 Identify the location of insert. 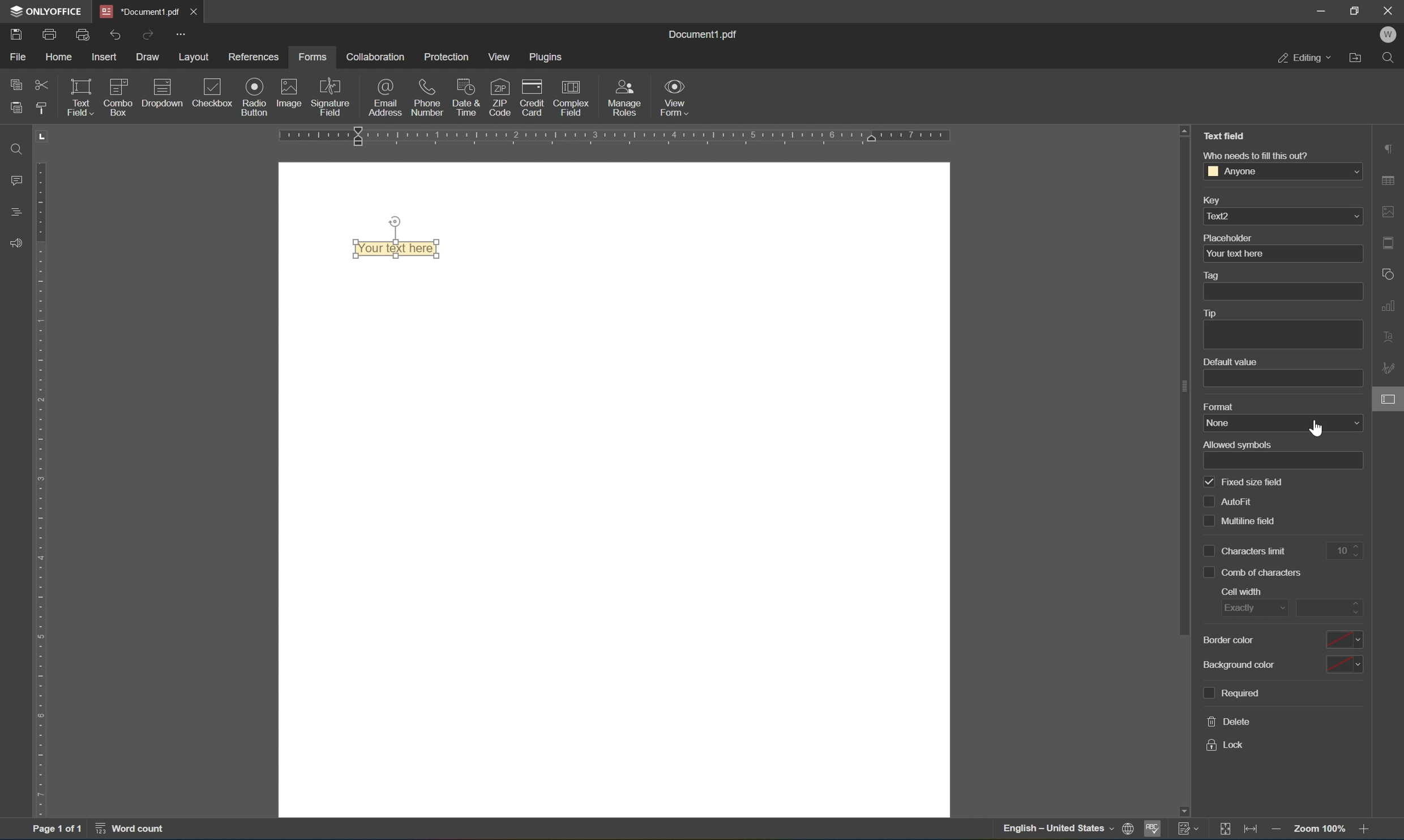
(105, 54).